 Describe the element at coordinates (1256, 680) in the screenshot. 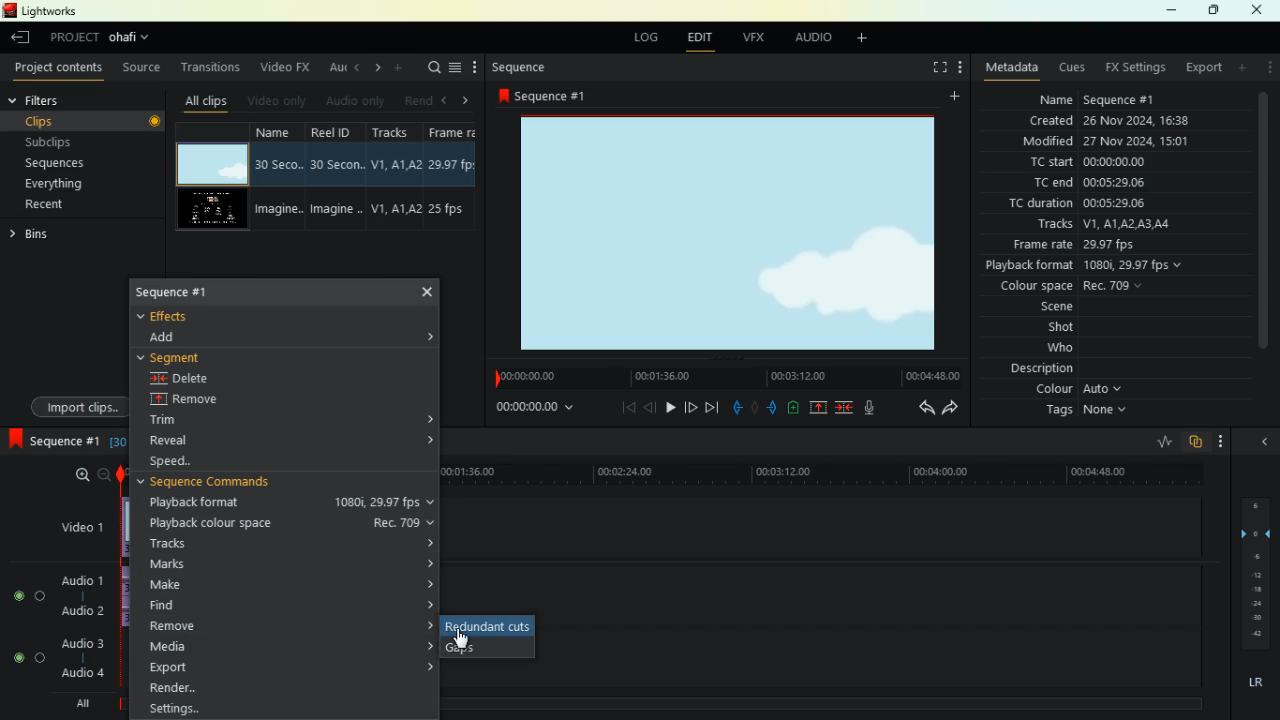

I see `LR` at that location.